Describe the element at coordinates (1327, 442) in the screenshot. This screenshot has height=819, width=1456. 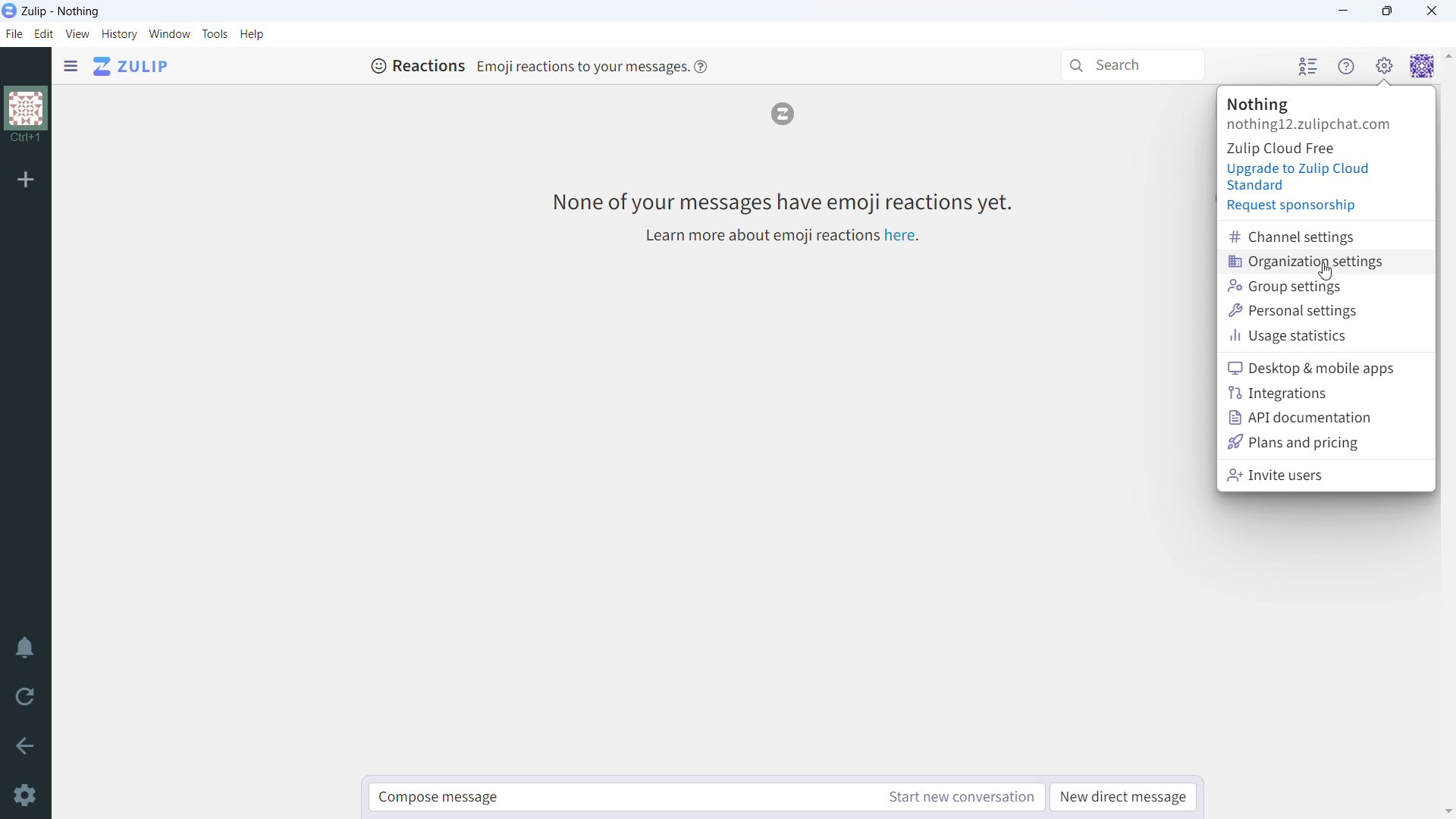
I see `plans and pricing` at that location.